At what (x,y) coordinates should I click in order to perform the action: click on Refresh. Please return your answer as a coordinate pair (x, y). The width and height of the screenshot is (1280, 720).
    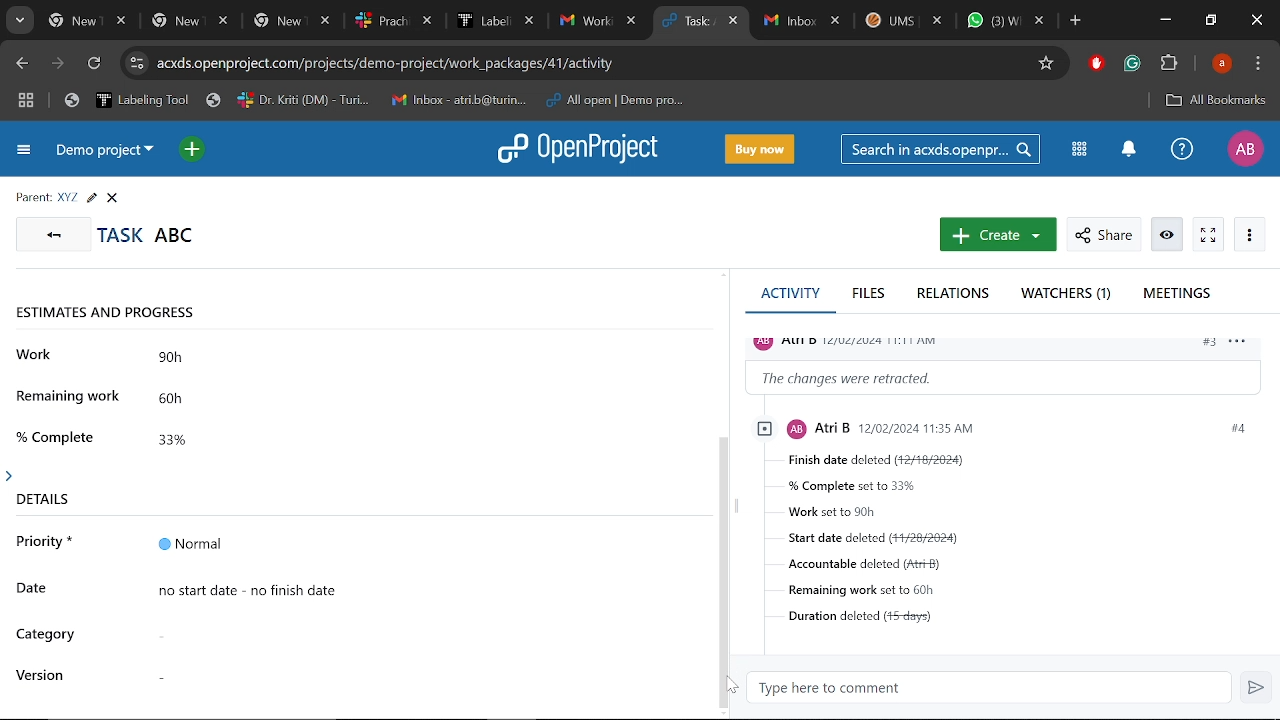
    Looking at the image, I should click on (95, 66).